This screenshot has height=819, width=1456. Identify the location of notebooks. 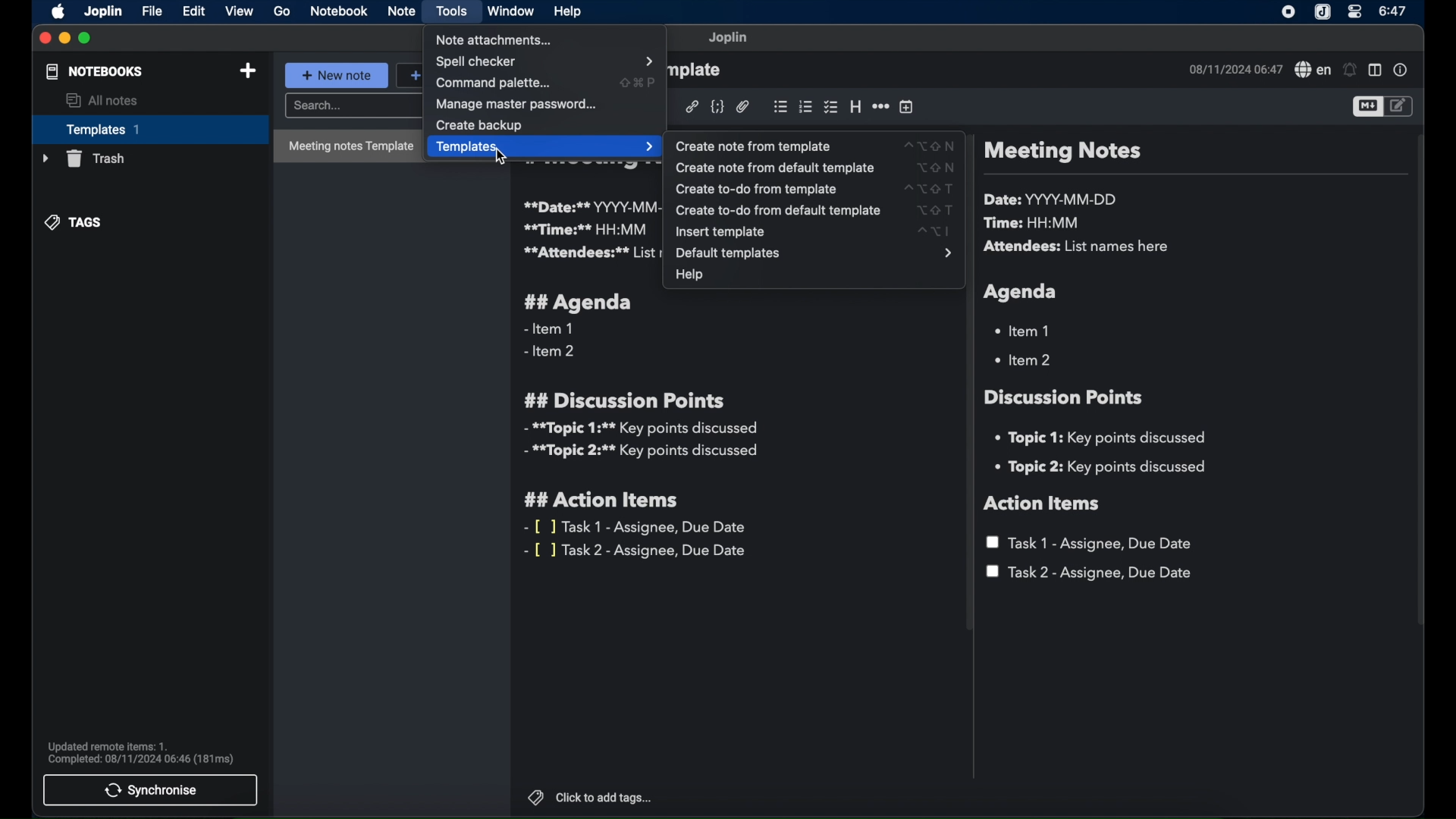
(93, 72).